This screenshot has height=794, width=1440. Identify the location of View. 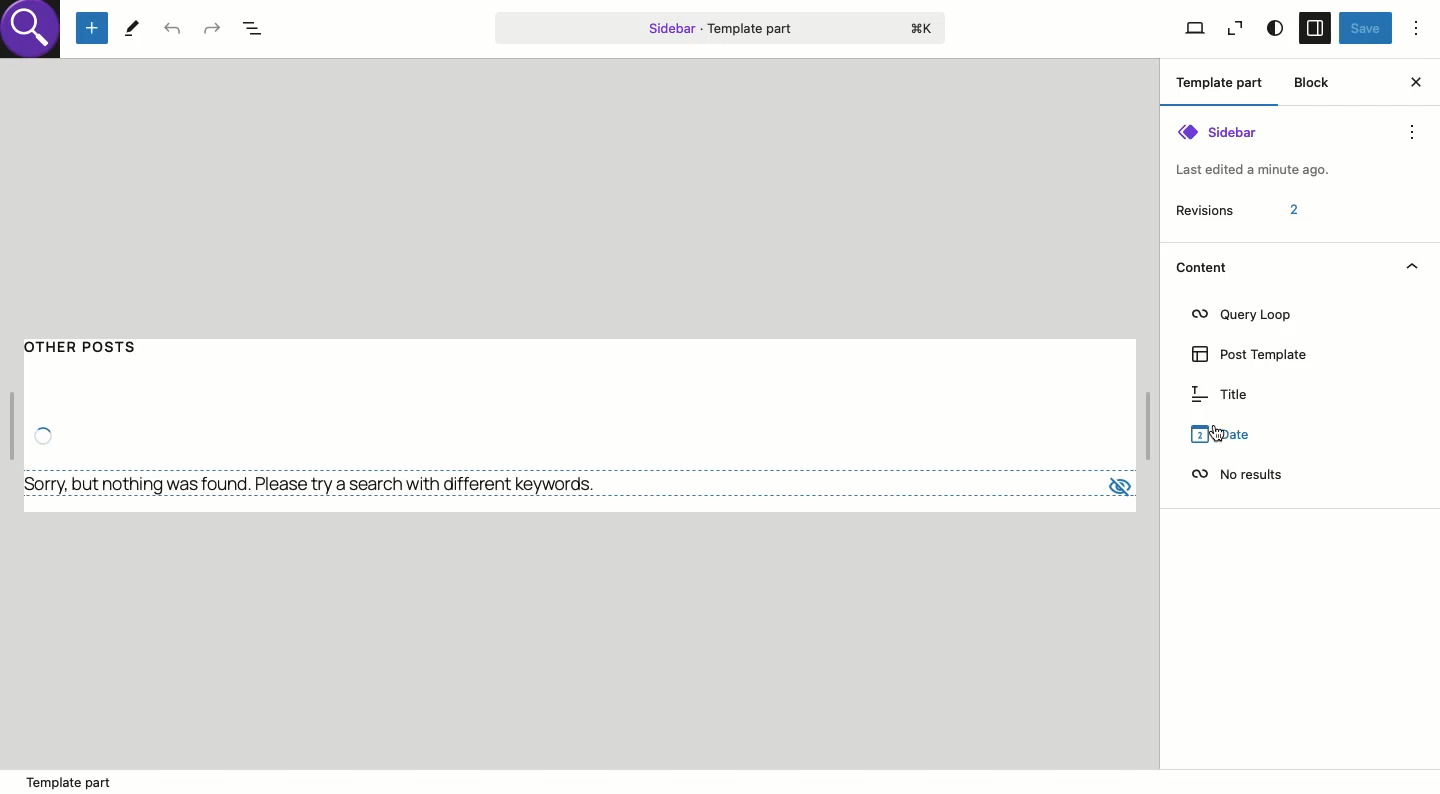
(1235, 29).